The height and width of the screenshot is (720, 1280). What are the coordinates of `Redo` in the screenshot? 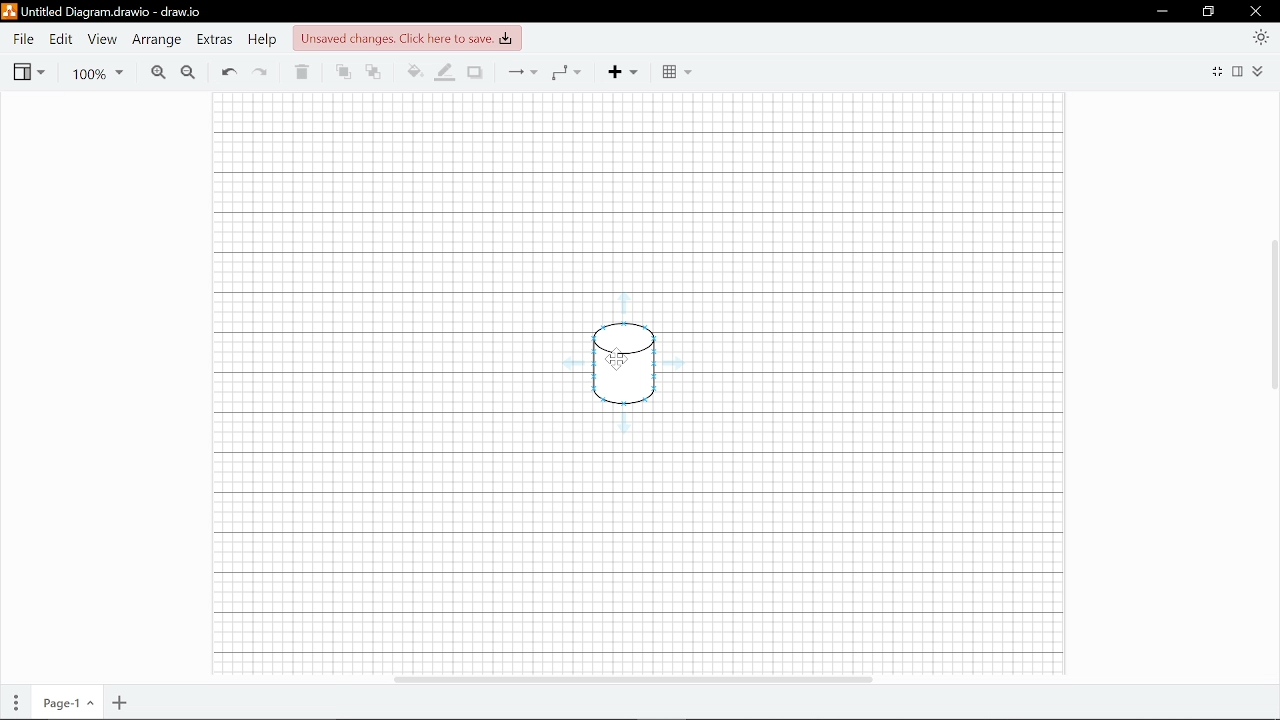 It's located at (262, 73).